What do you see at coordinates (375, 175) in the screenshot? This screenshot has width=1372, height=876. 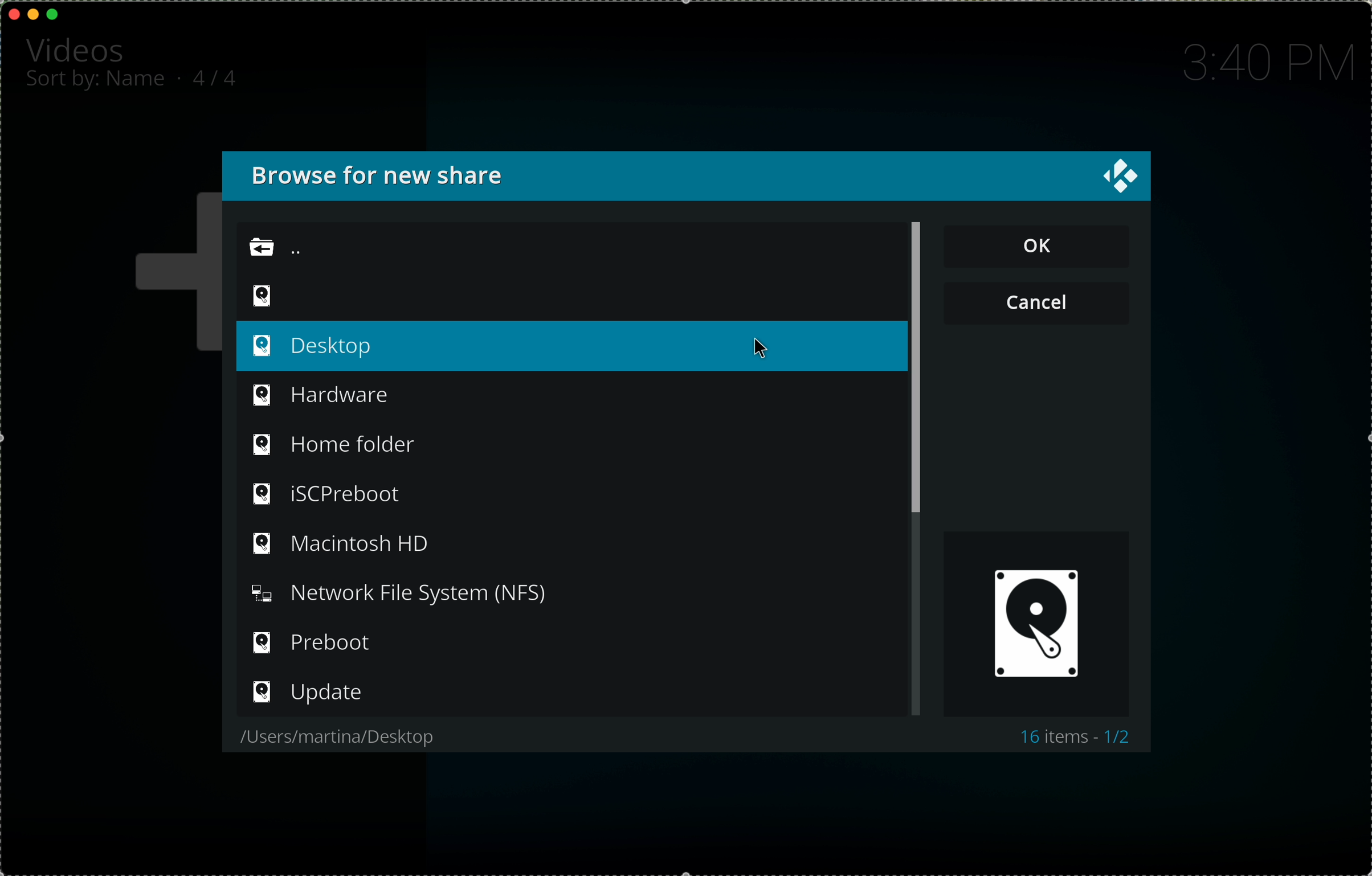 I see `browse for new share` at bounding box center [375, 175].